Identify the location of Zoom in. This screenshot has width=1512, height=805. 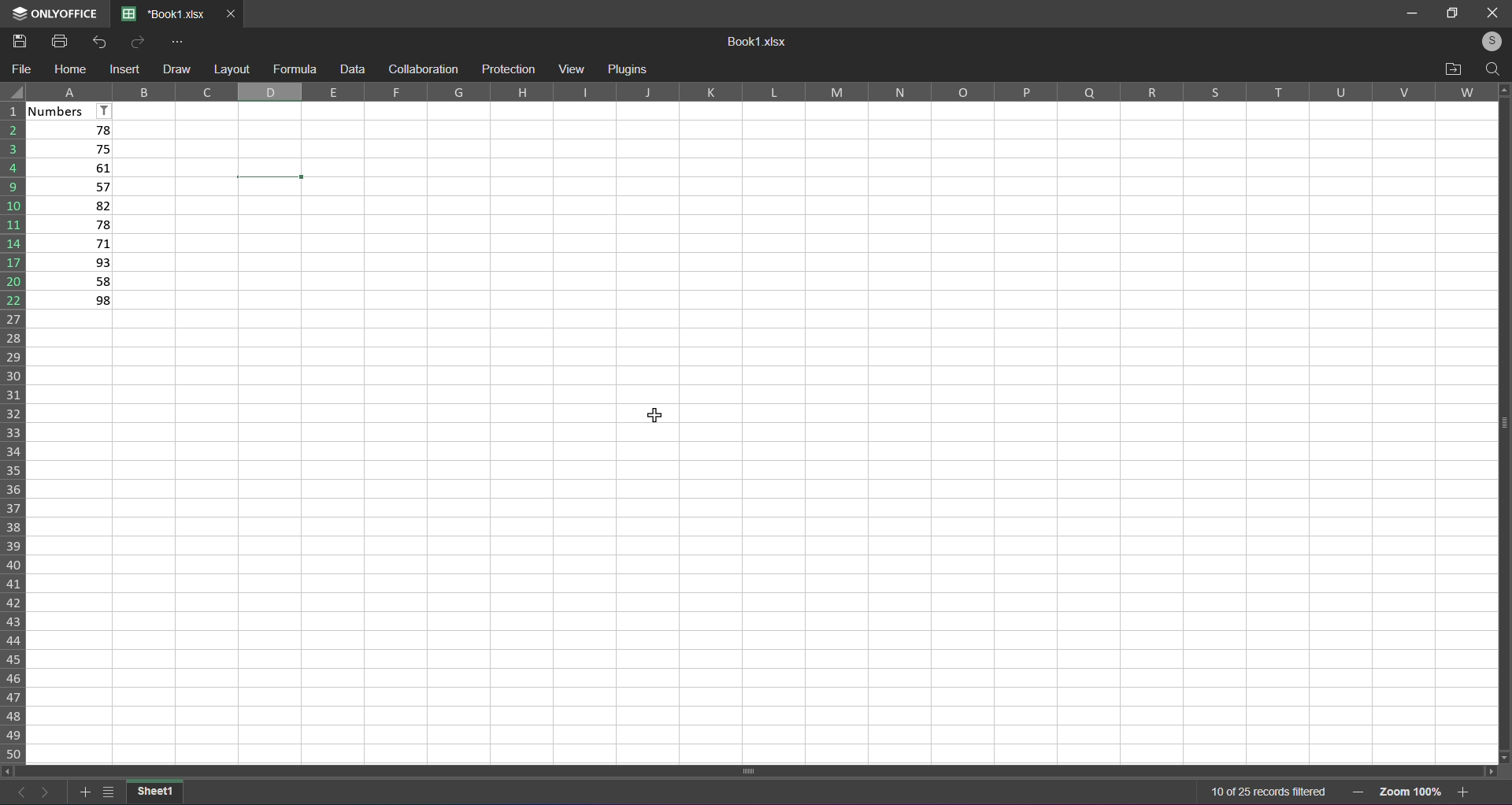
(1465, 791).